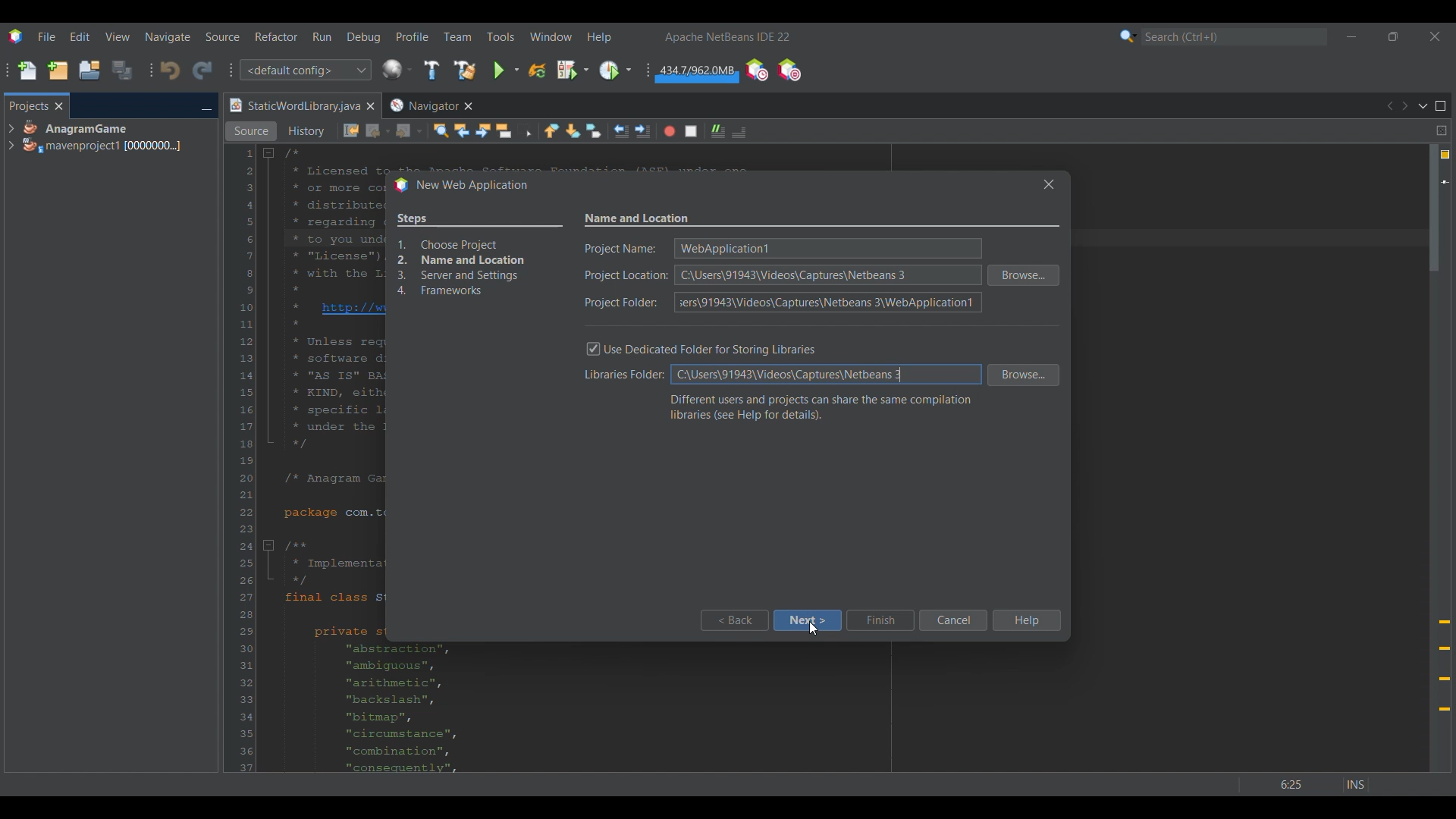 This screenshot has width=1456, height=819. Describe the element at coordinates (322, 36) in the screenshot. I see `Run menu` at that location.